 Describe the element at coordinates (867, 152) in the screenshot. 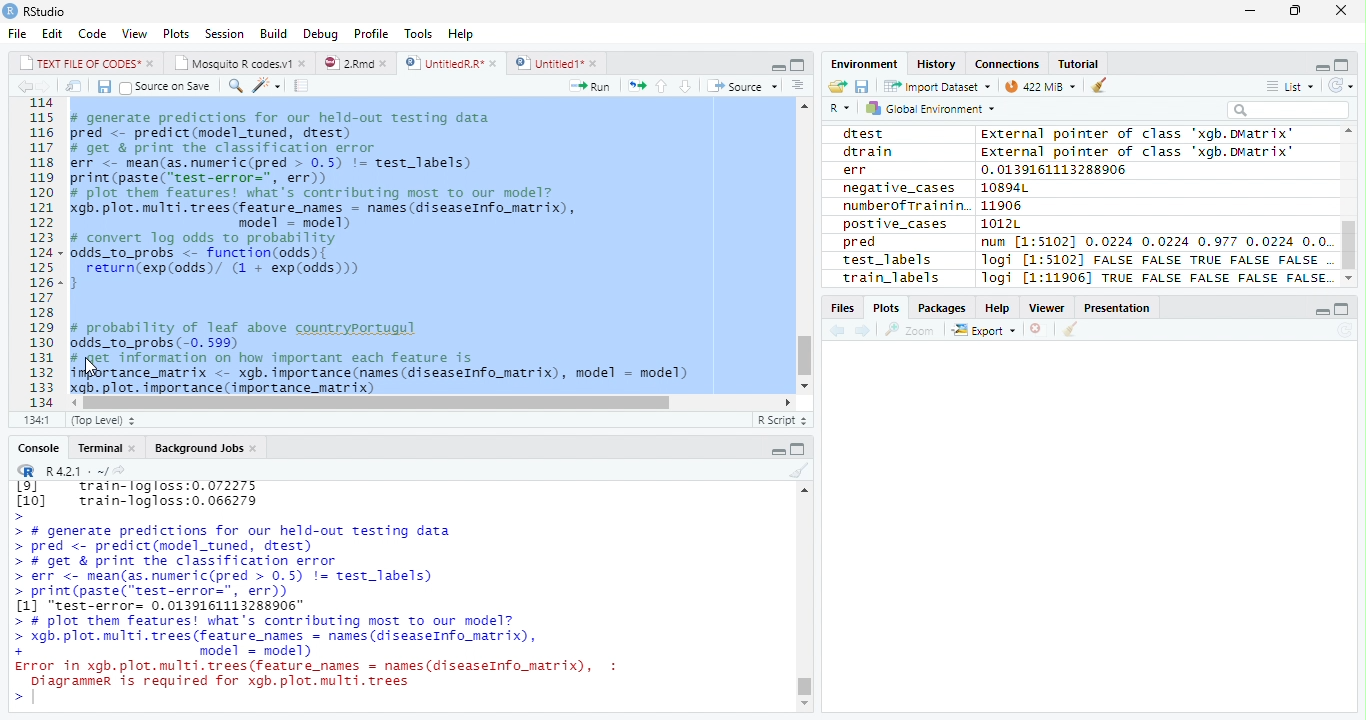

I see `dtrain` at that location.